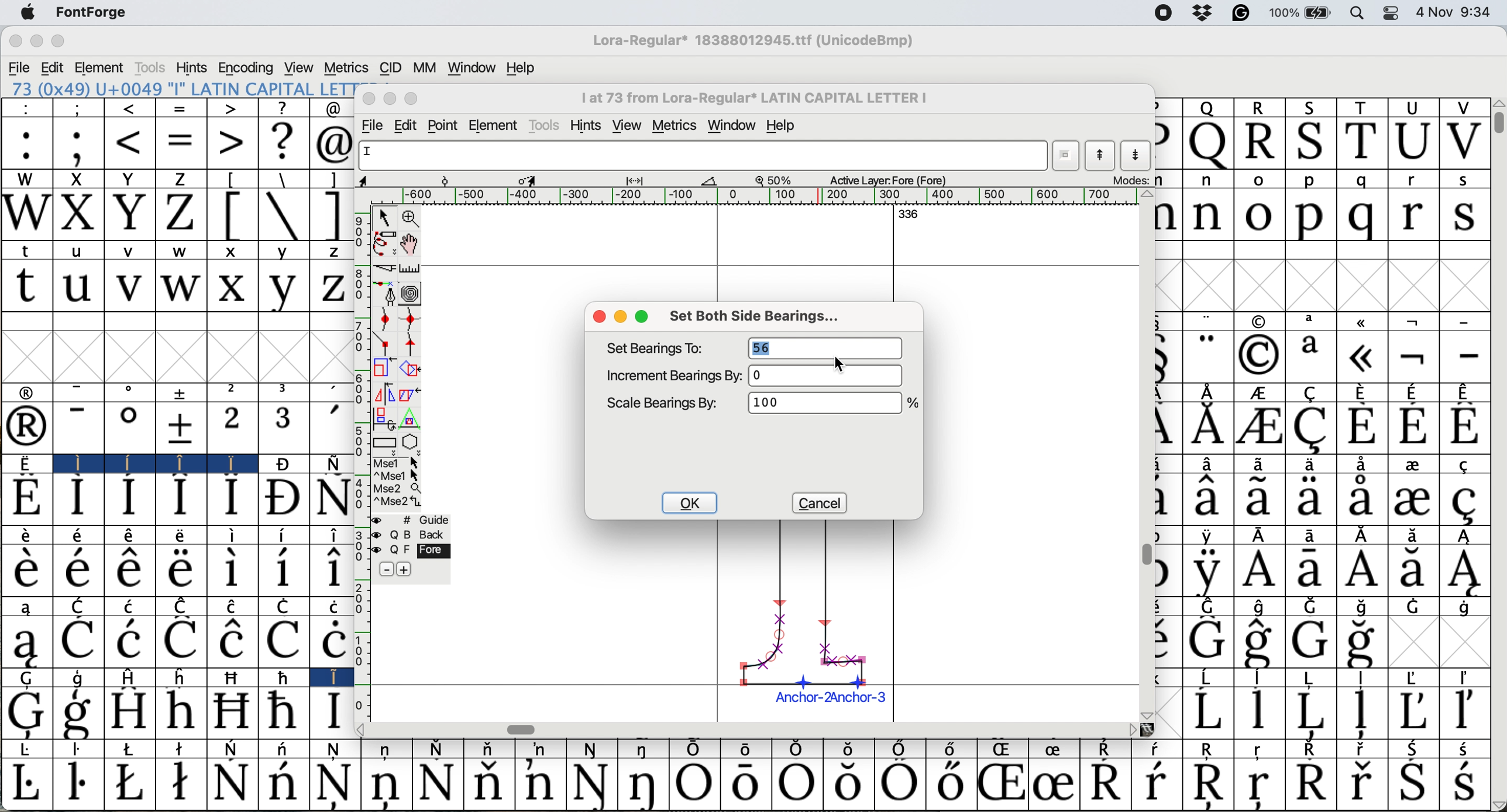 This screenshot has width=1507, height=812. I want to click on I, so click(331, 677).